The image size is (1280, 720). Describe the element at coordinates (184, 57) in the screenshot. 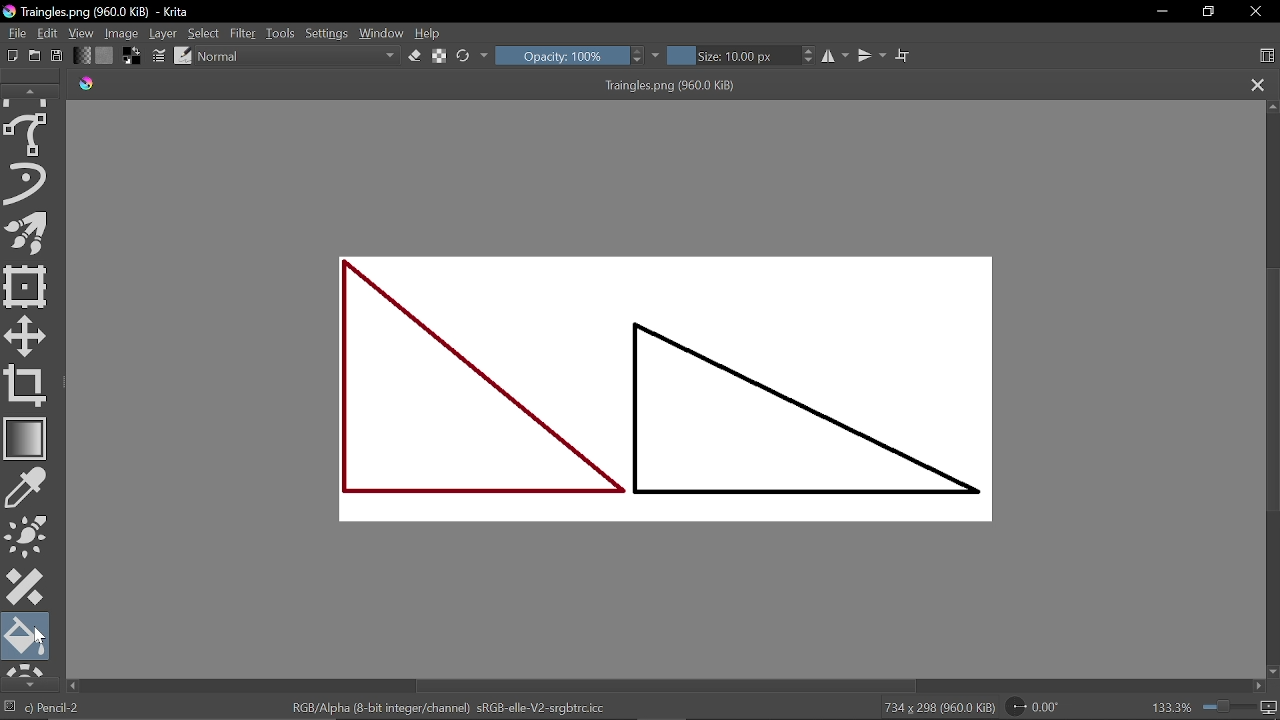

I see `Choose brush preset` at that location.